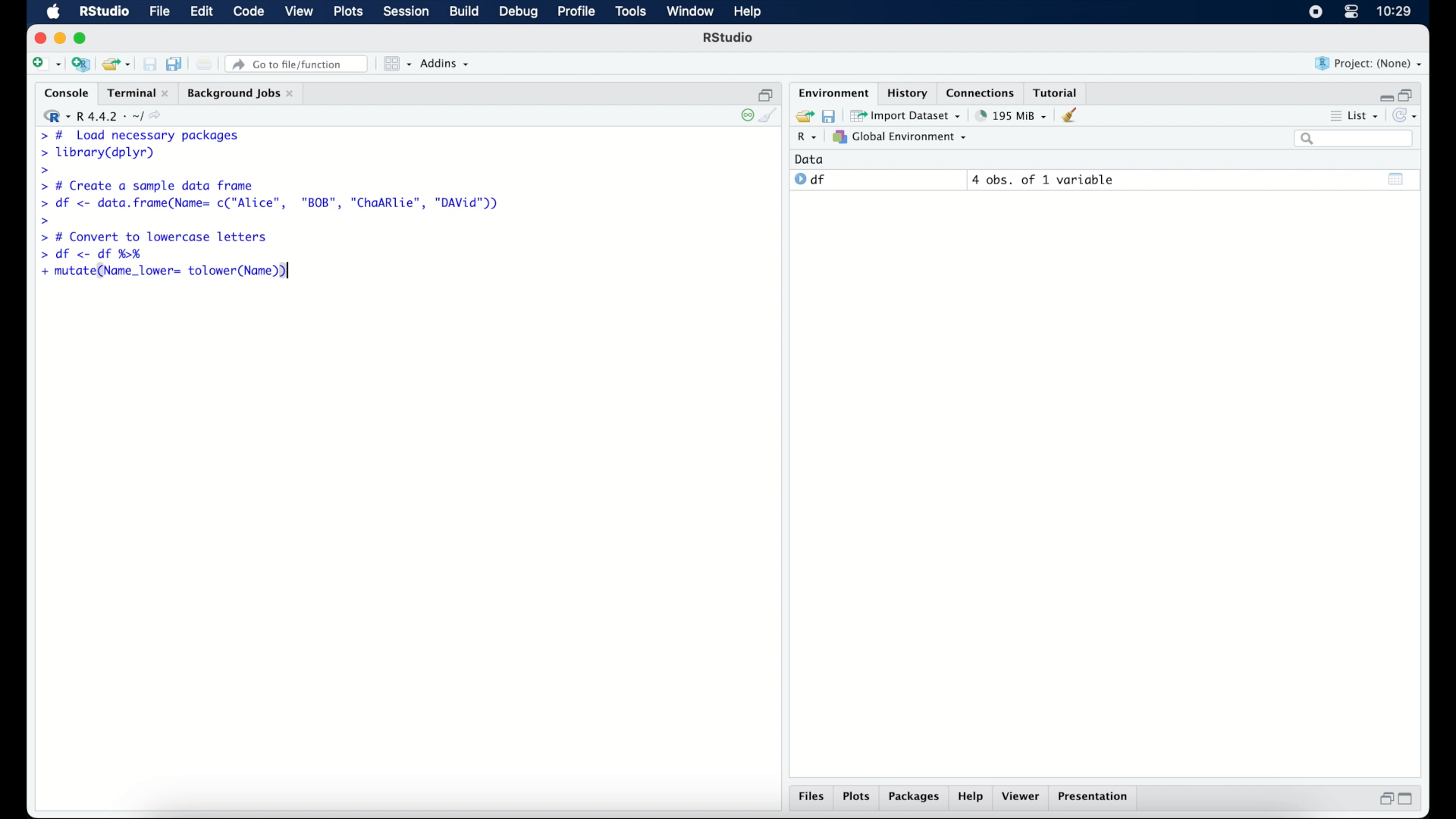  Describe the element at coordinates (1075, 116) in the screenshot. I see `clear workspace` at that location.